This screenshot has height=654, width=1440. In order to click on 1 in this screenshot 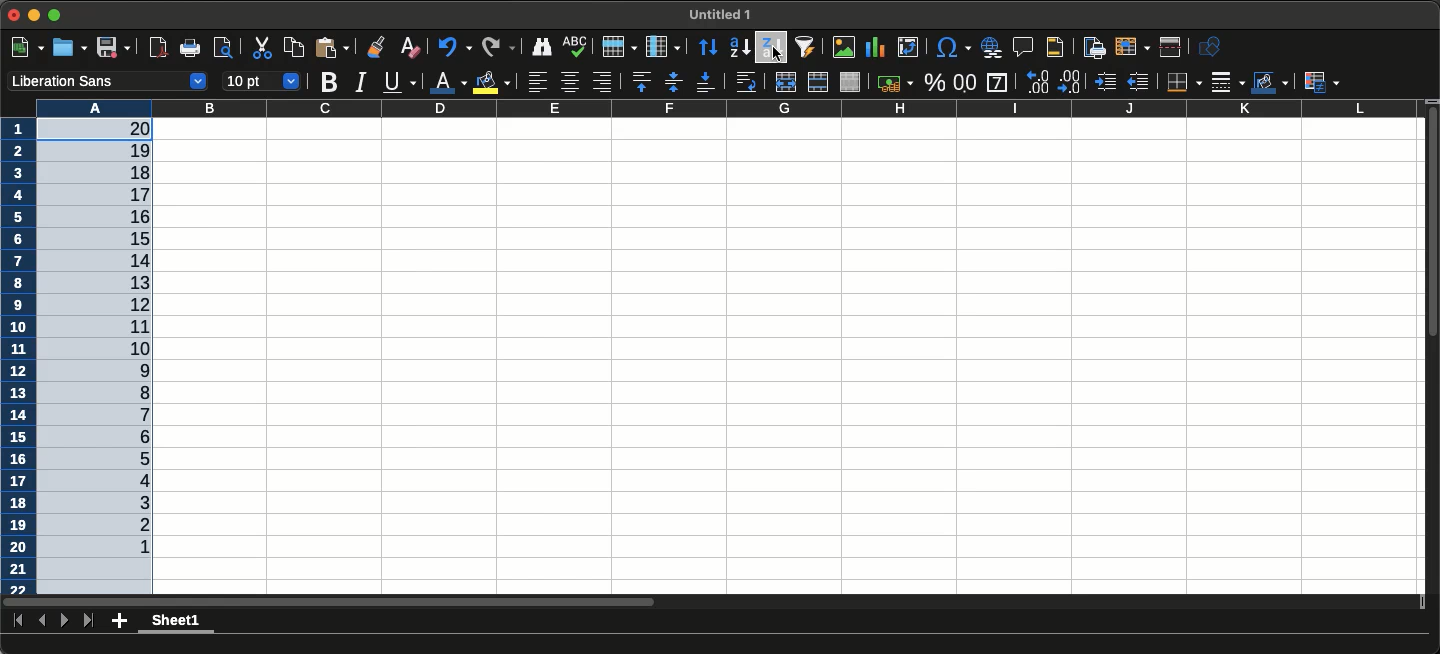, I will do `click(141, 549)`.